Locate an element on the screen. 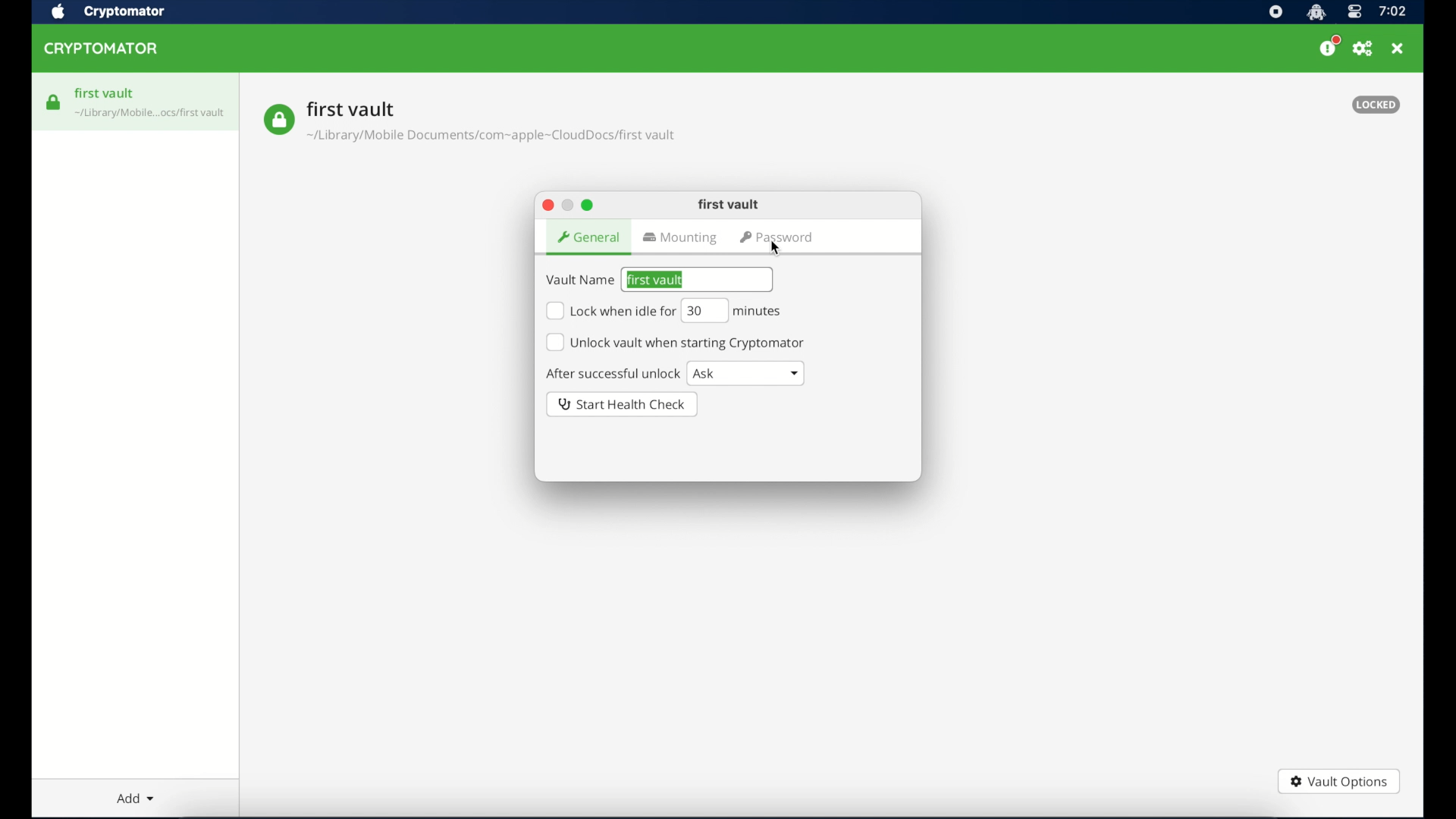  minimize is located at coordinates (566, 206).